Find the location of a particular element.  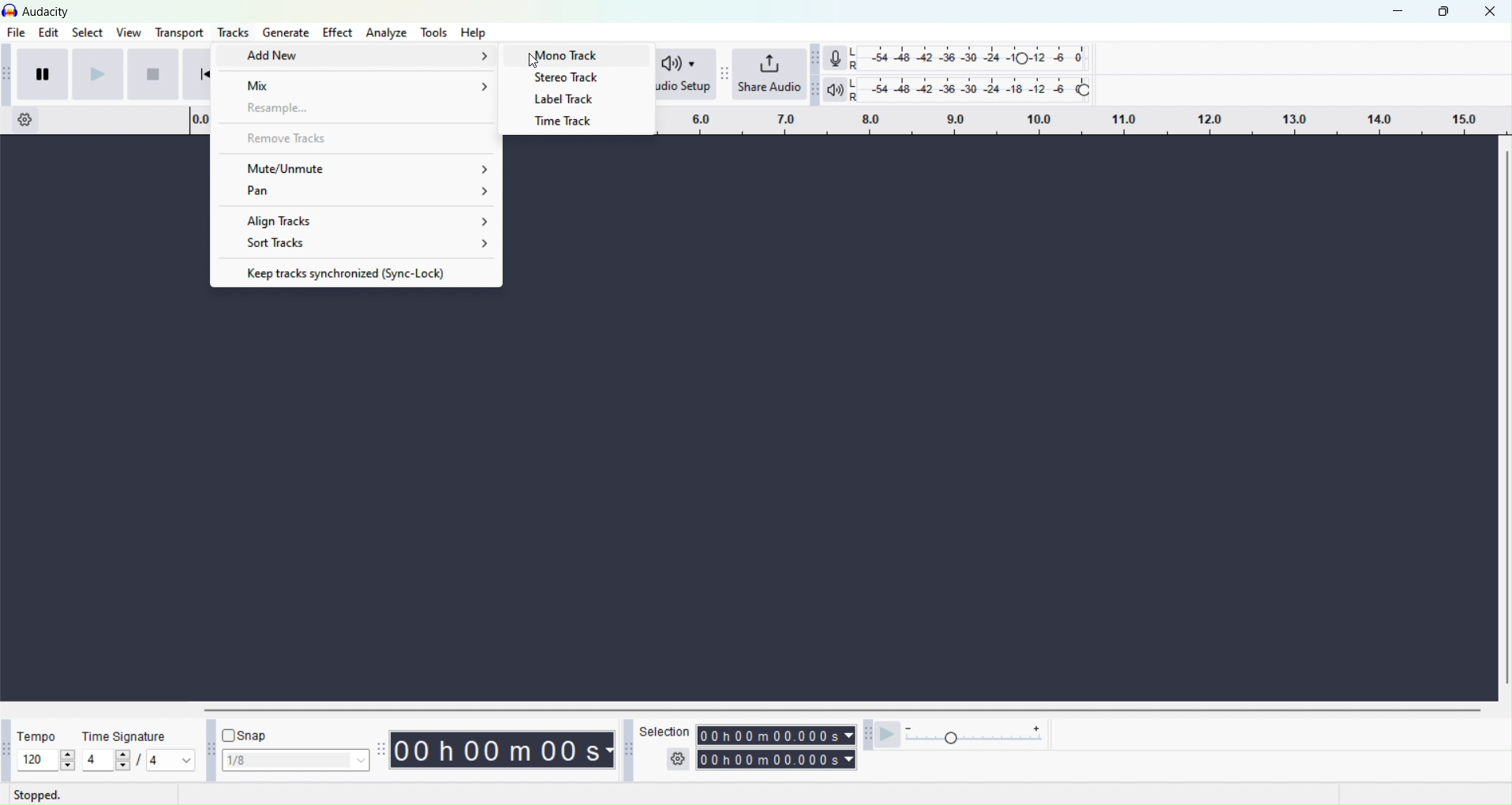

Timeline options is located at coordinates (22, 119).